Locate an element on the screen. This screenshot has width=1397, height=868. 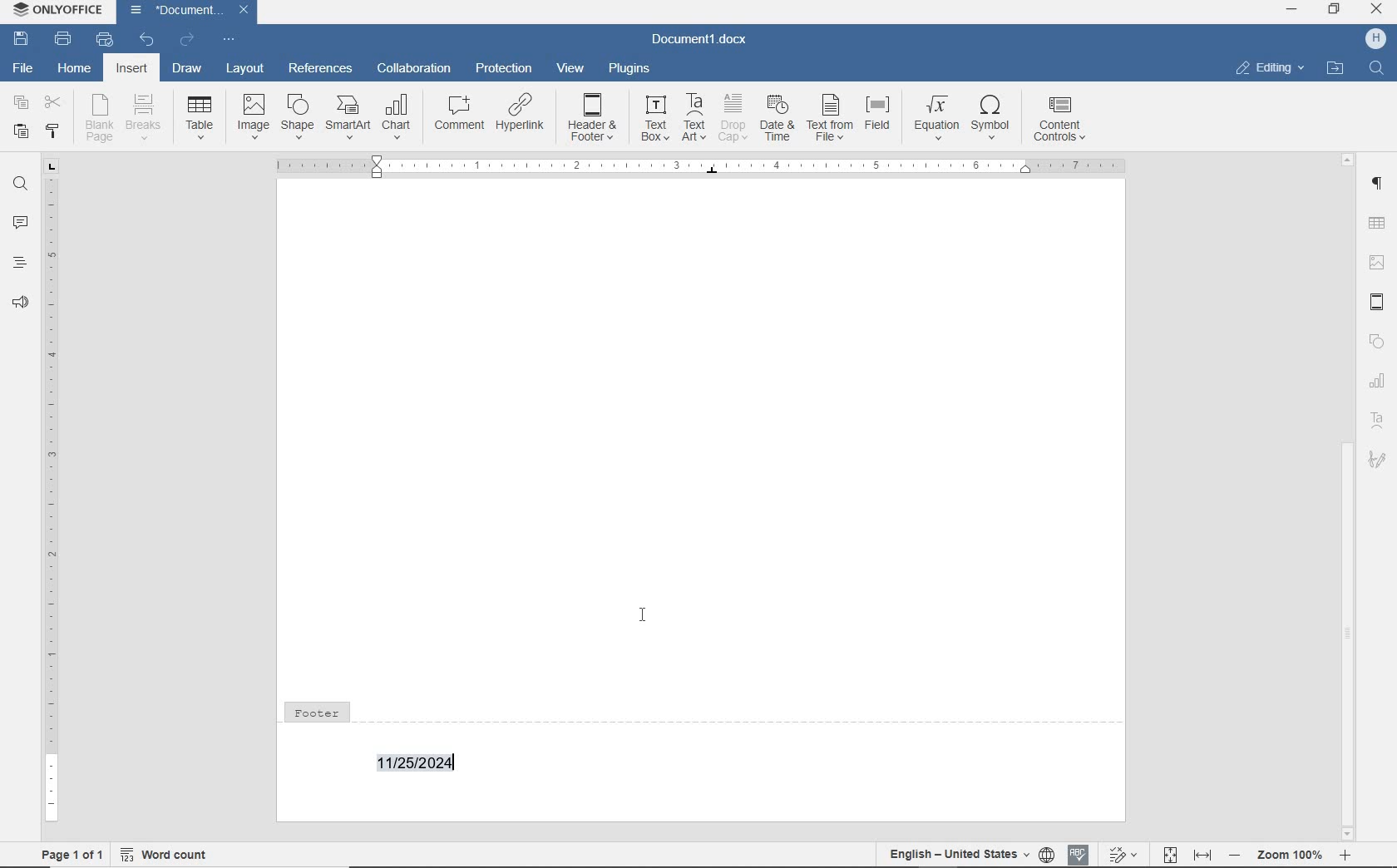
symbol is located at coordinates (995, 118).